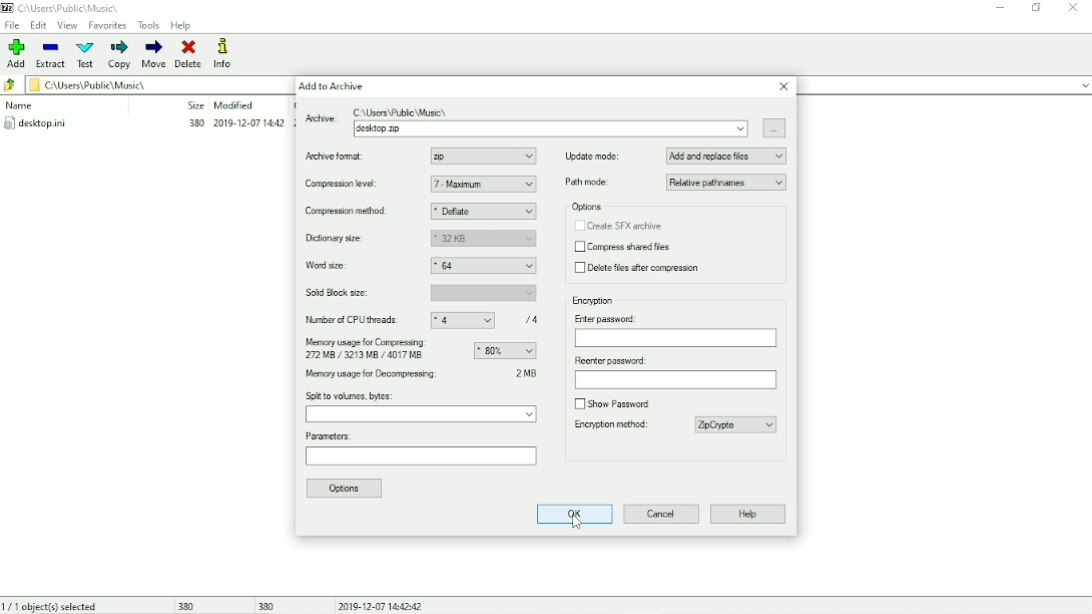 Image resolution: width=1092 pixels, height=614 pixels. What do you see at coordinates (331, 266) in the screenshot?
I see `word size` at bounding box center [331, 266].